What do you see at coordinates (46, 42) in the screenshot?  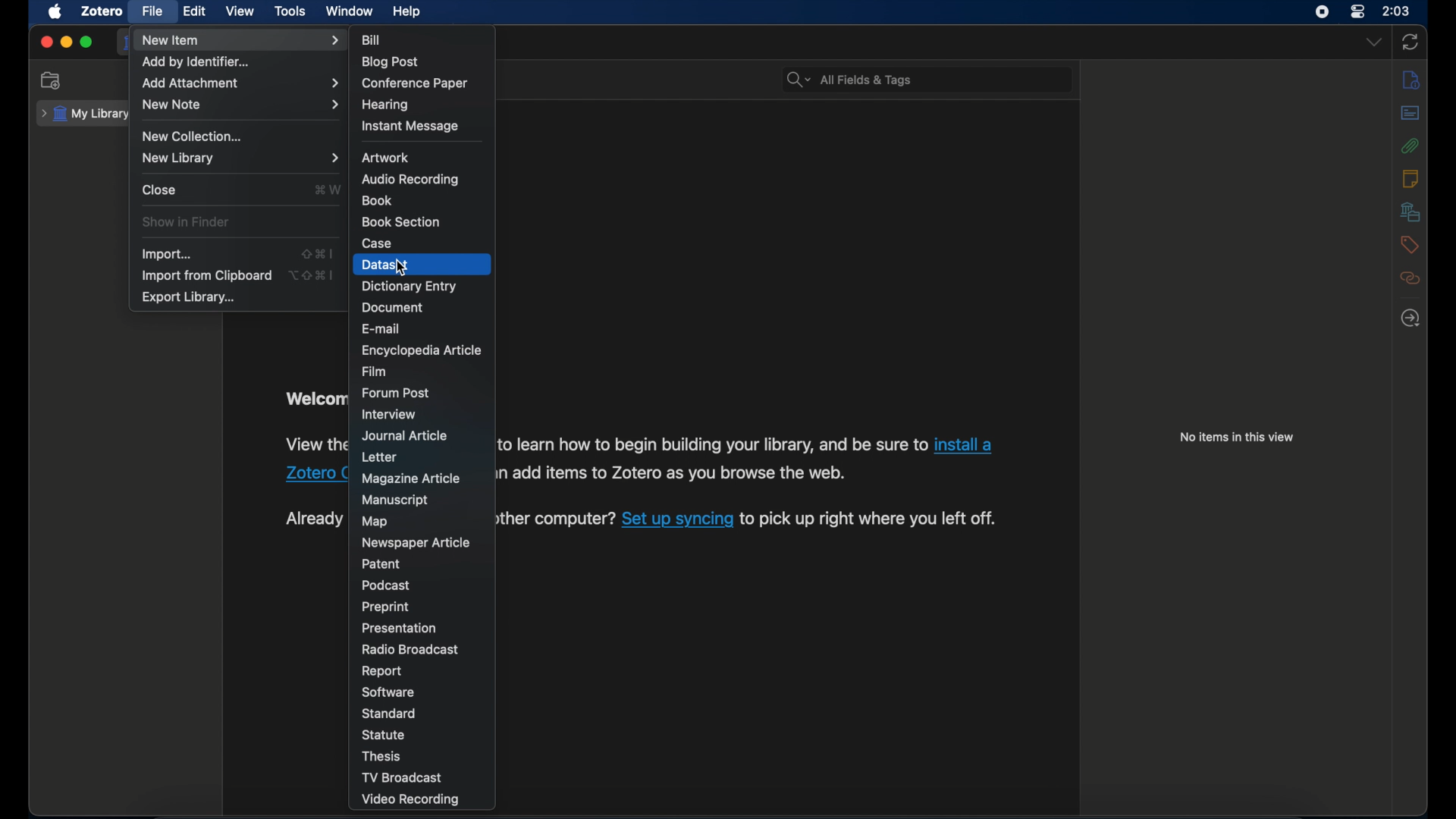 I see `close` at bounding box center [46, 42].